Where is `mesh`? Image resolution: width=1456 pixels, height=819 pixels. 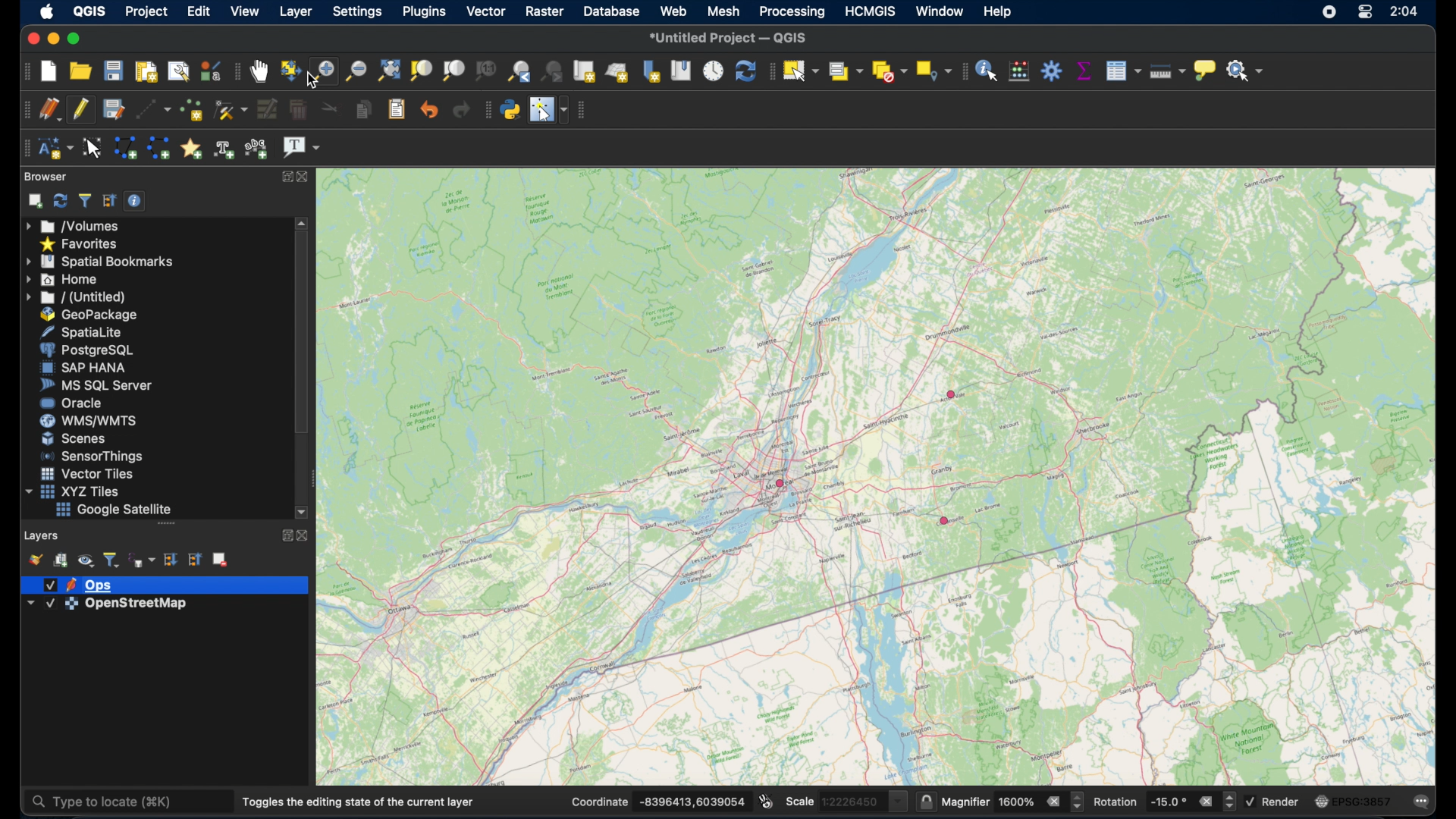 mesh is located at coordinates (725, 13).